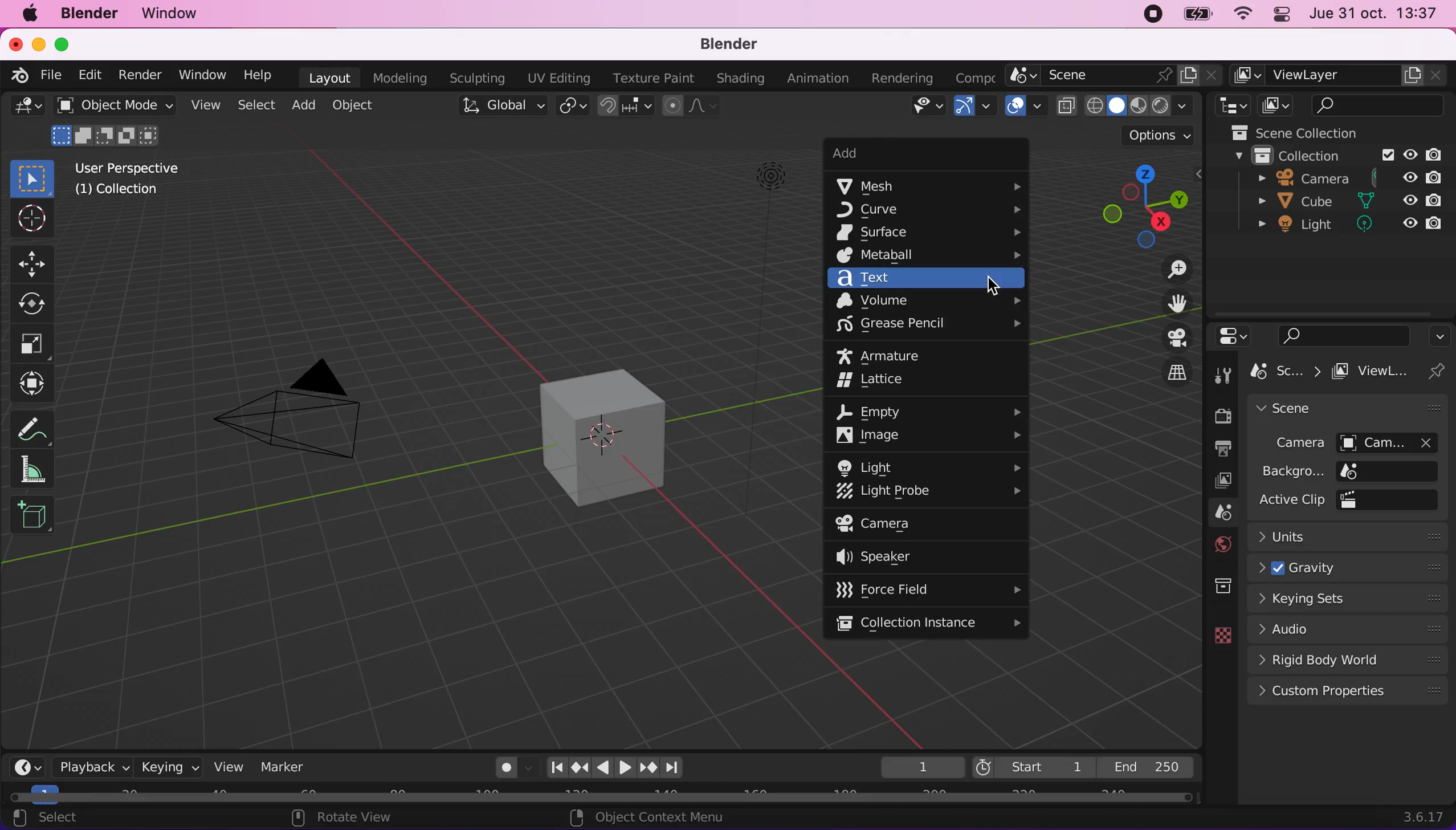 Image resolution: width=1456 pixels, height=830 pixels. What do you see at coordinates (44, 819) in the screenshot?
I see `select` at bounding box center [44, 819].